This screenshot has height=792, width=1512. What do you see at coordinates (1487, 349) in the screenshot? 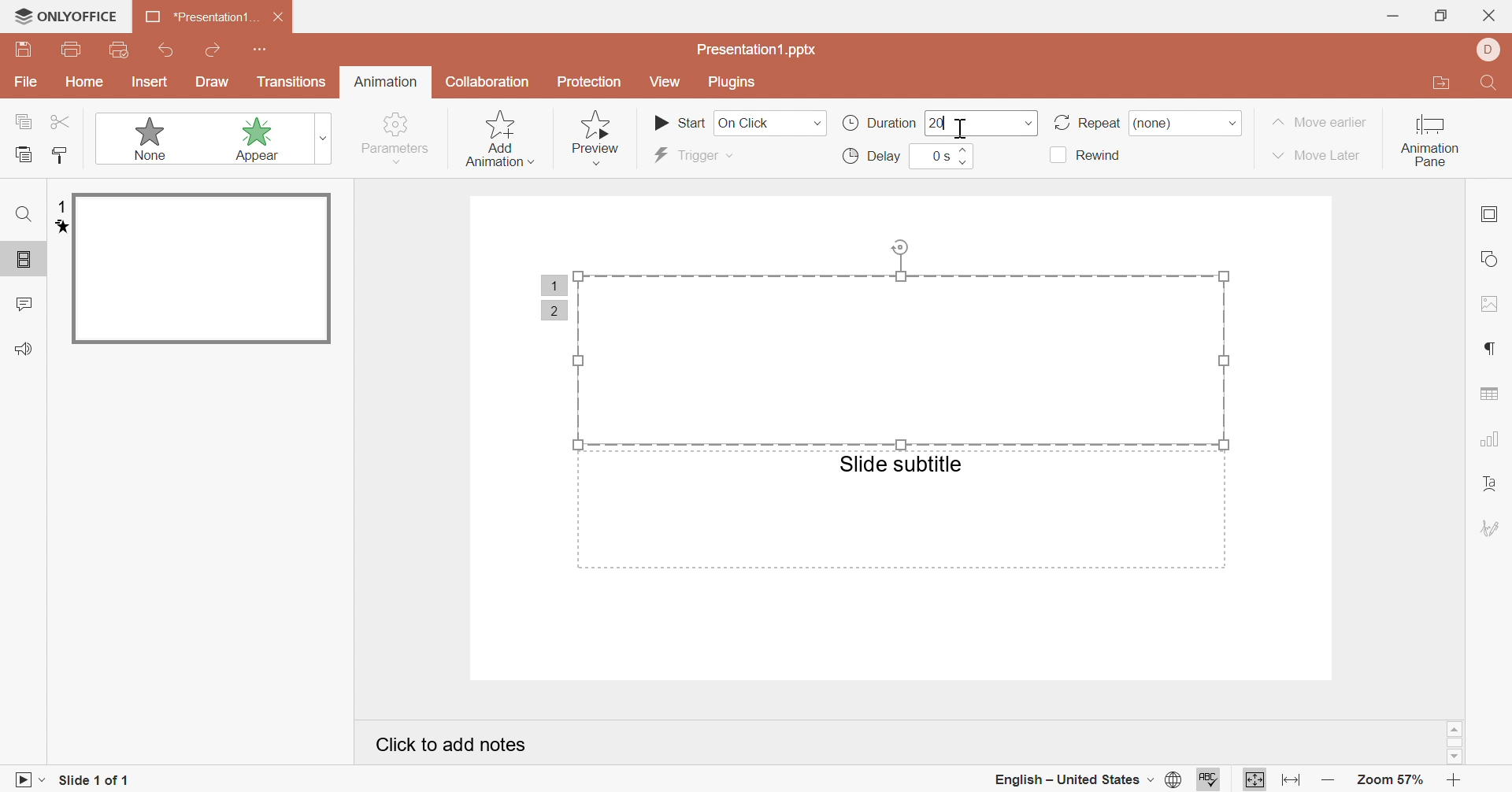
I see `paragraph settings` at bounding box center [1487, 349].